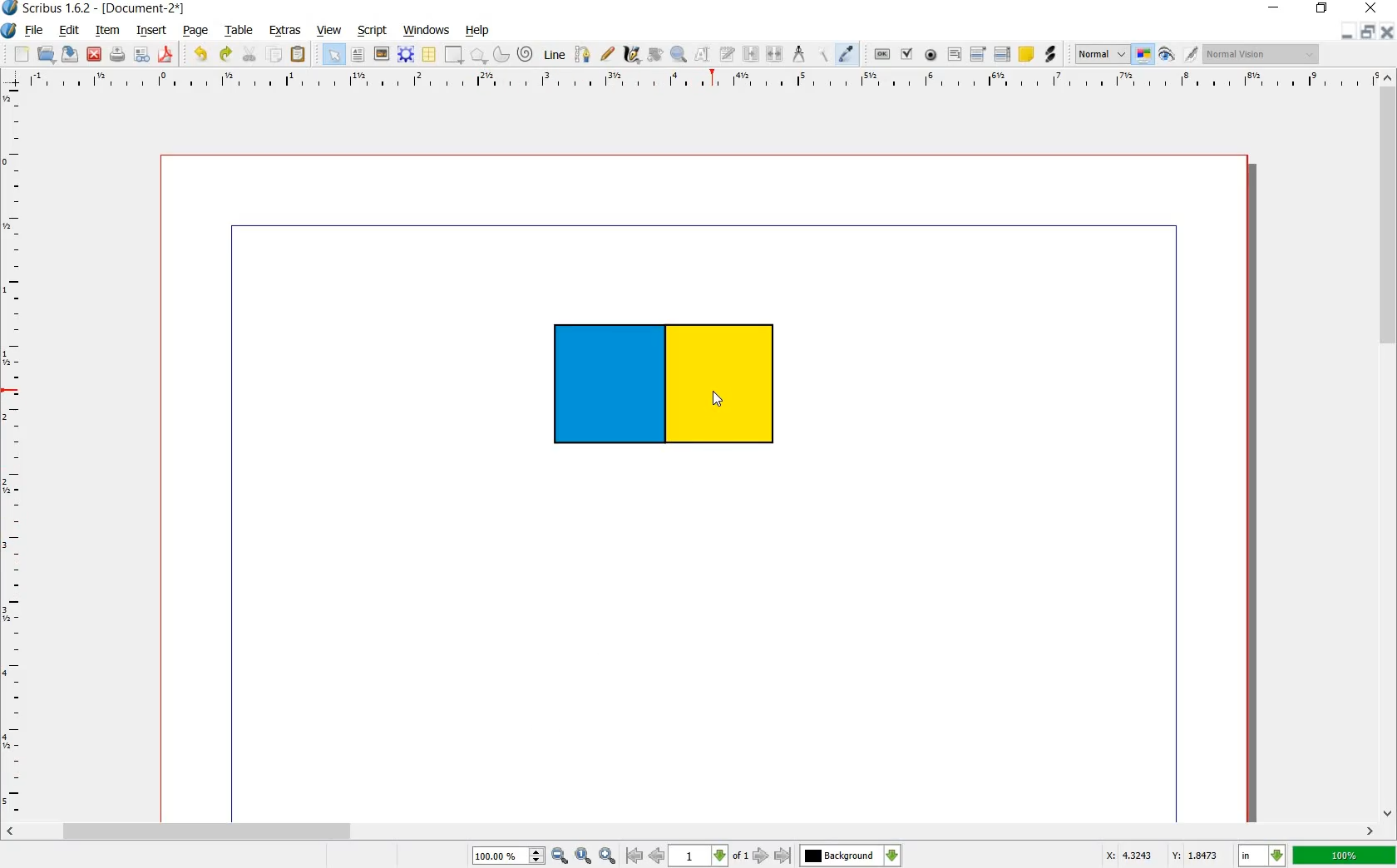  I want to click on close, so click(94, 54).